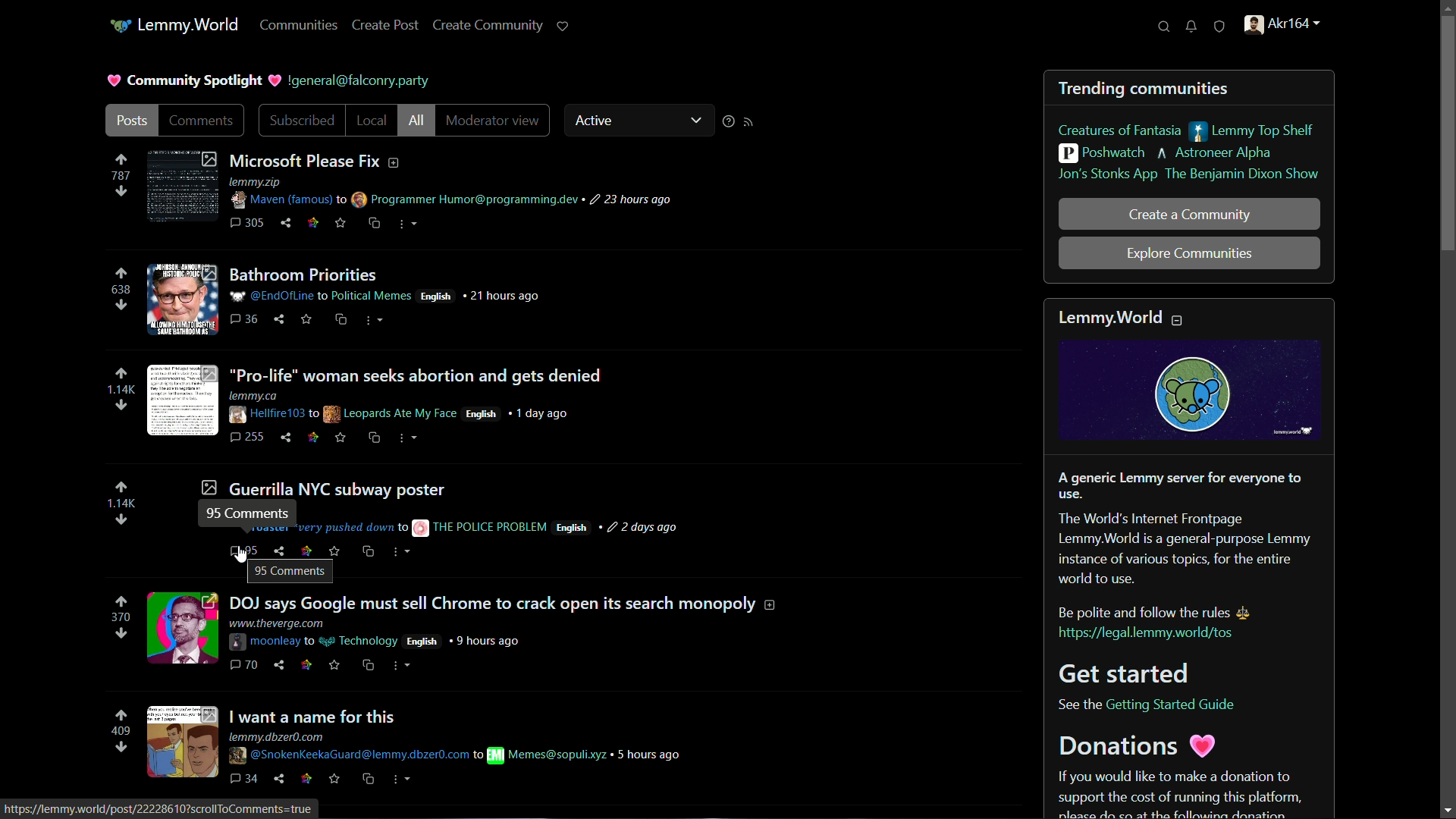 The height and width of the screenshot is (819, 1456). I want to click on icon, so click(306, 548).